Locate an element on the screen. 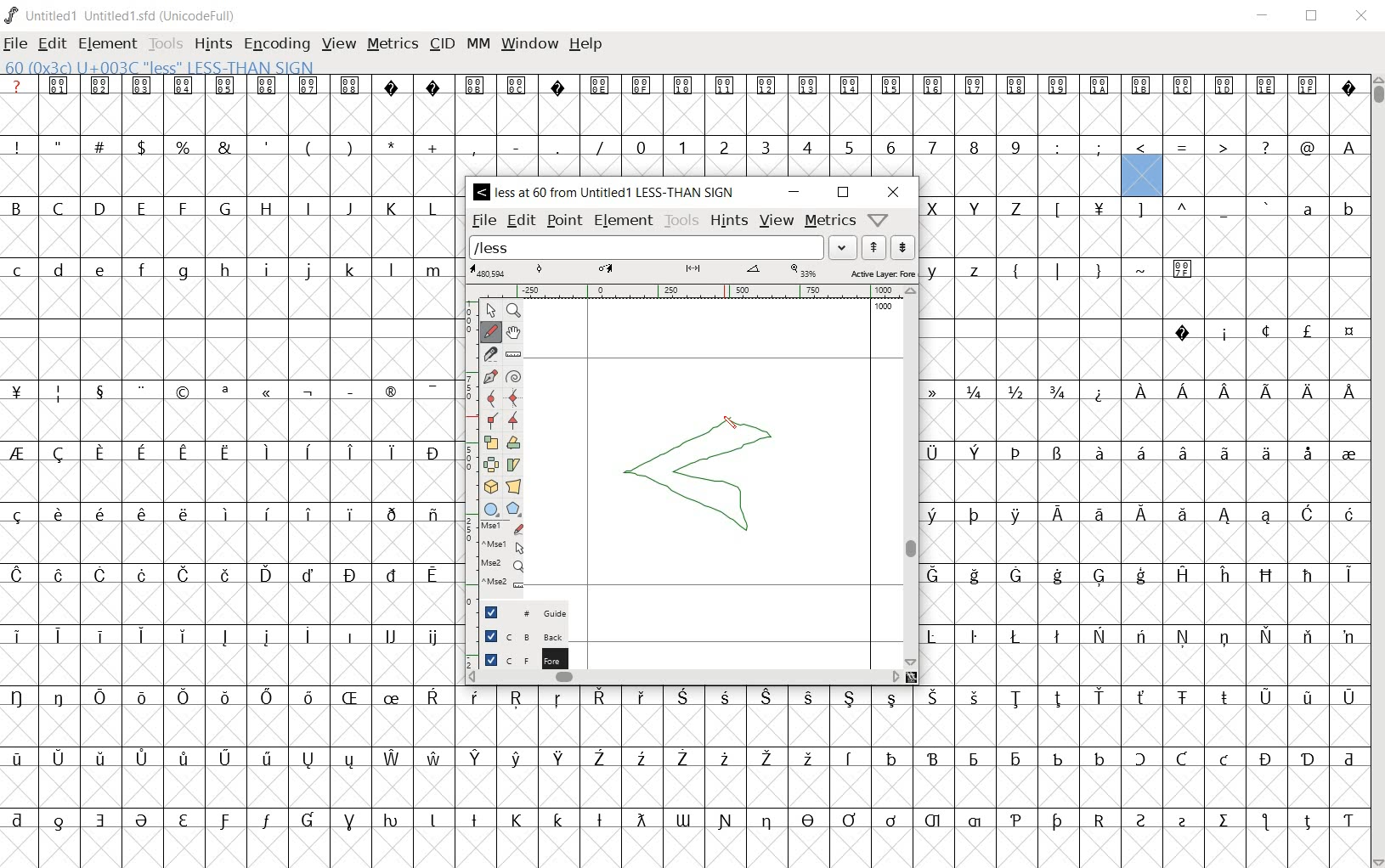  symbols is located at coordinates (1185, 144).